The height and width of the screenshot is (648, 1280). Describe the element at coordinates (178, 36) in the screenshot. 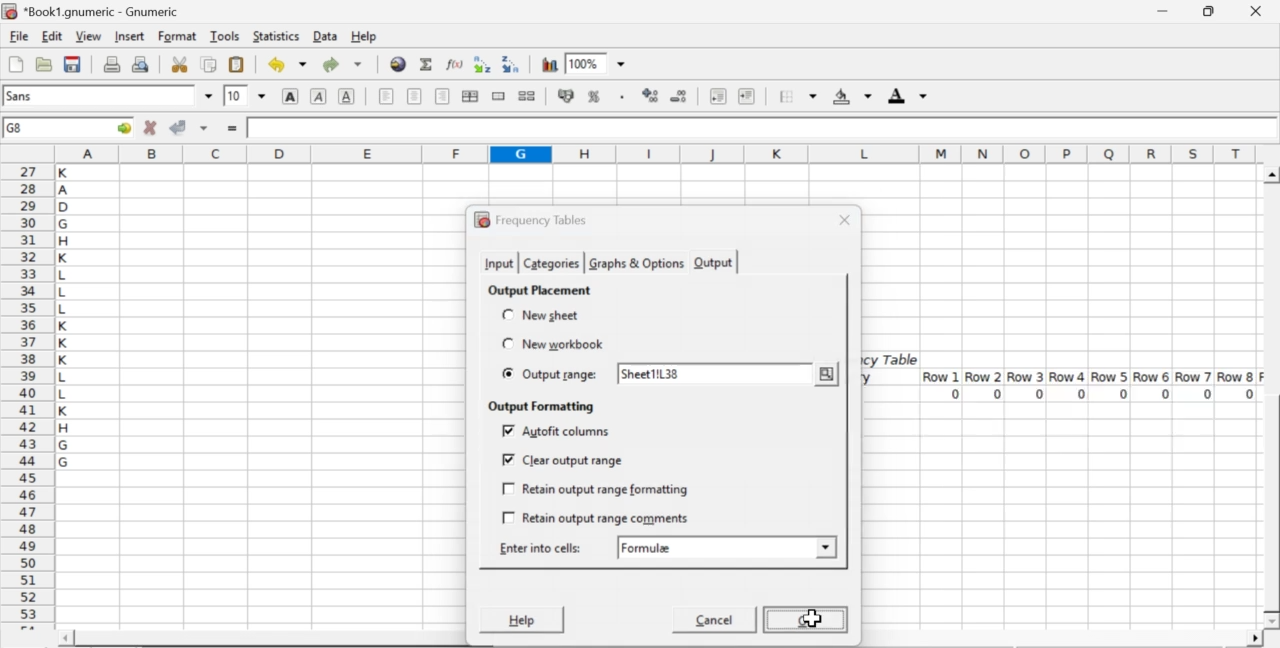

I see `format` at that location.